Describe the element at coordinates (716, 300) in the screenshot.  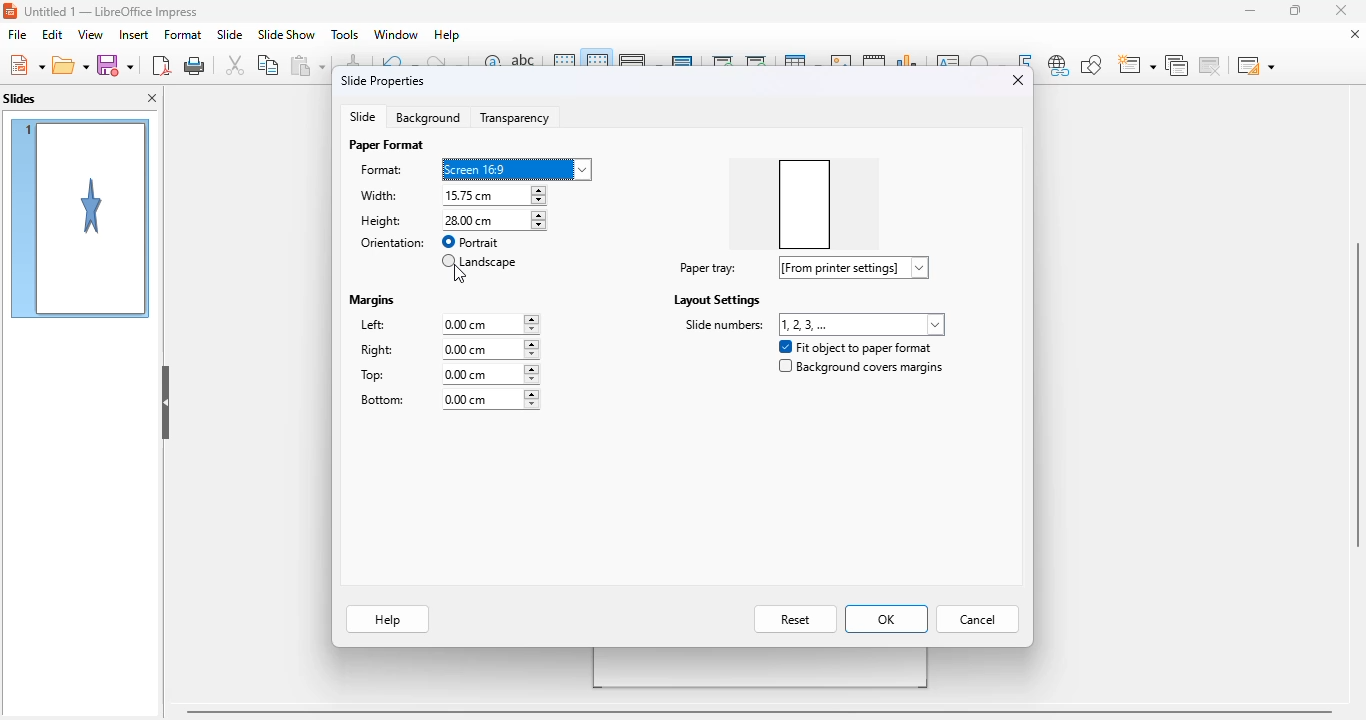
I see `layout settings` at that location.